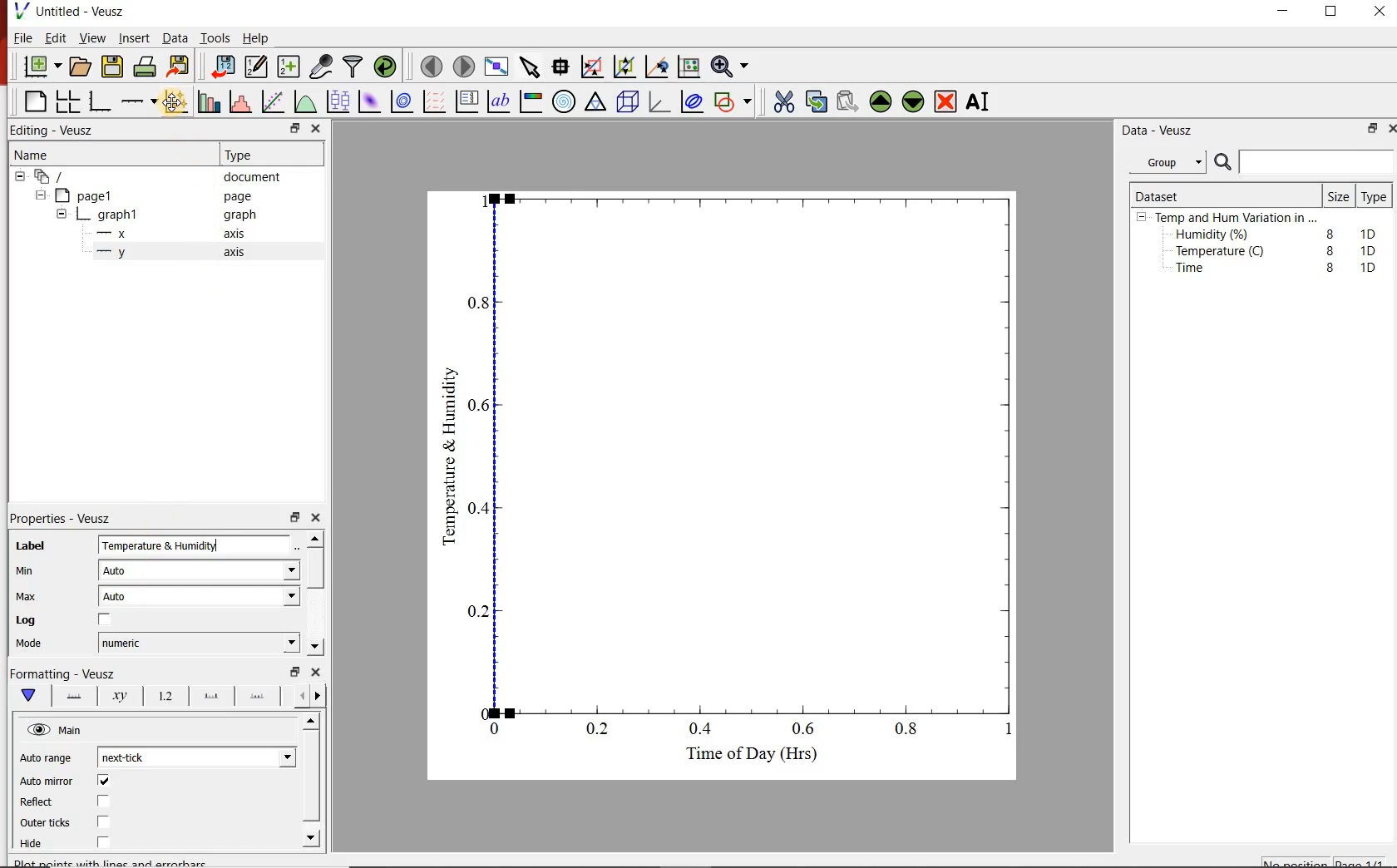 Image resolution: width=1397 pixels, height=868 pixels. I want to click on plot a 2d dataset as contours, so click(406, 102).